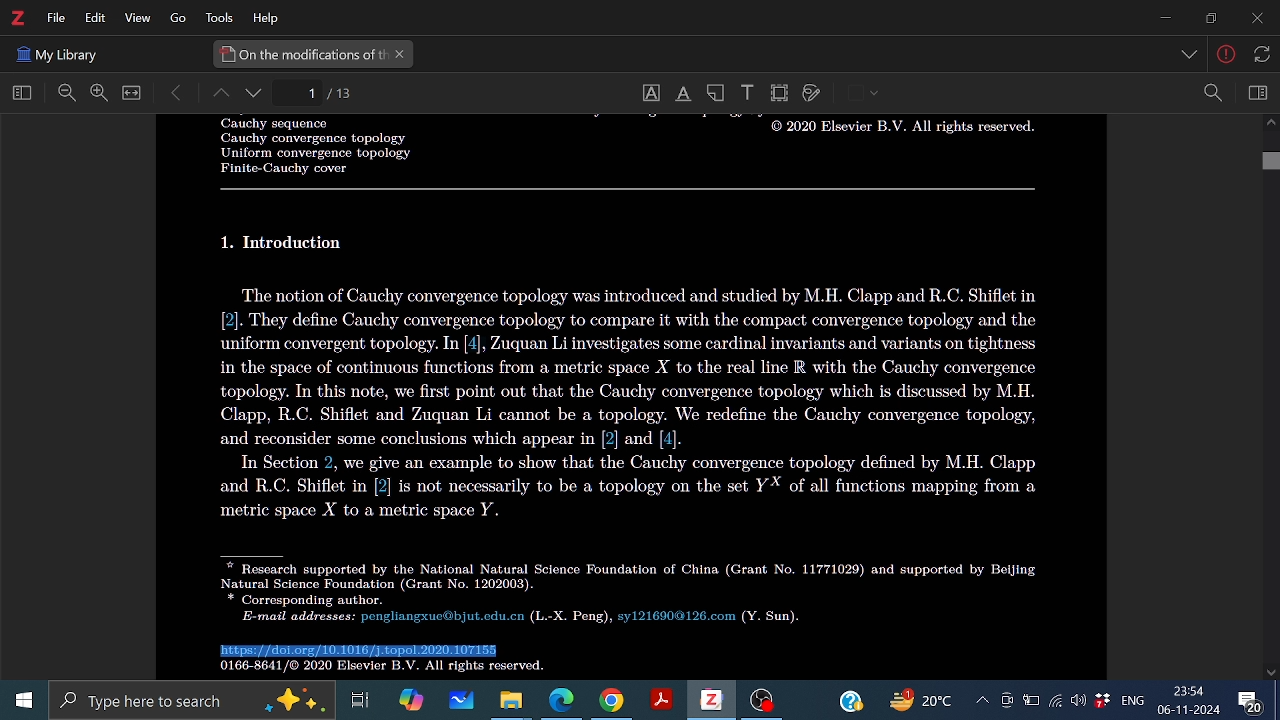 The height and width of the screenshot is (720, 1280). I want to click on Whiteboard, so click(459, 701).